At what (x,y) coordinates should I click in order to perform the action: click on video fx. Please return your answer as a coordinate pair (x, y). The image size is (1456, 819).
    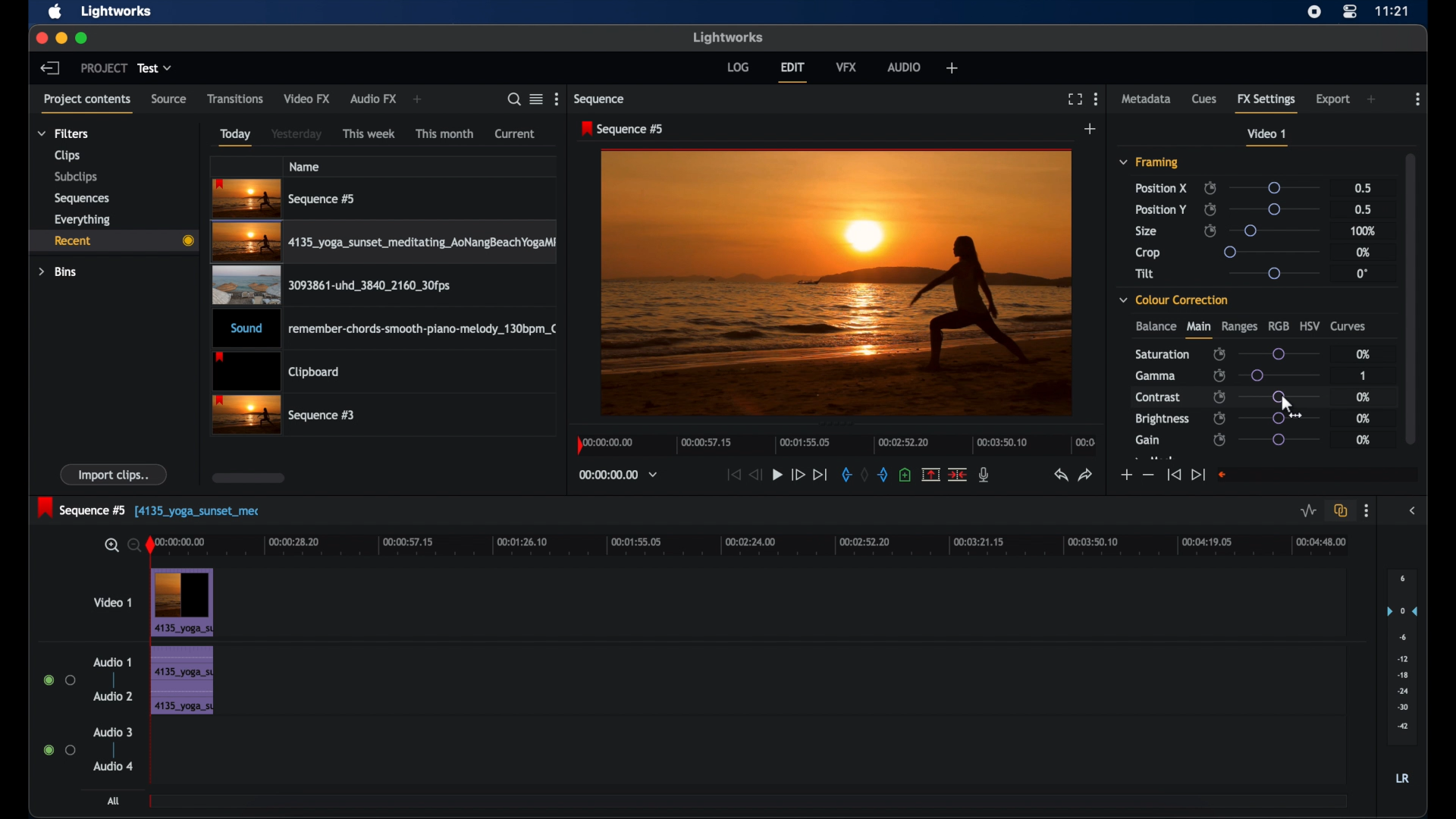
    Looking at the image, I should click on (306, 99).